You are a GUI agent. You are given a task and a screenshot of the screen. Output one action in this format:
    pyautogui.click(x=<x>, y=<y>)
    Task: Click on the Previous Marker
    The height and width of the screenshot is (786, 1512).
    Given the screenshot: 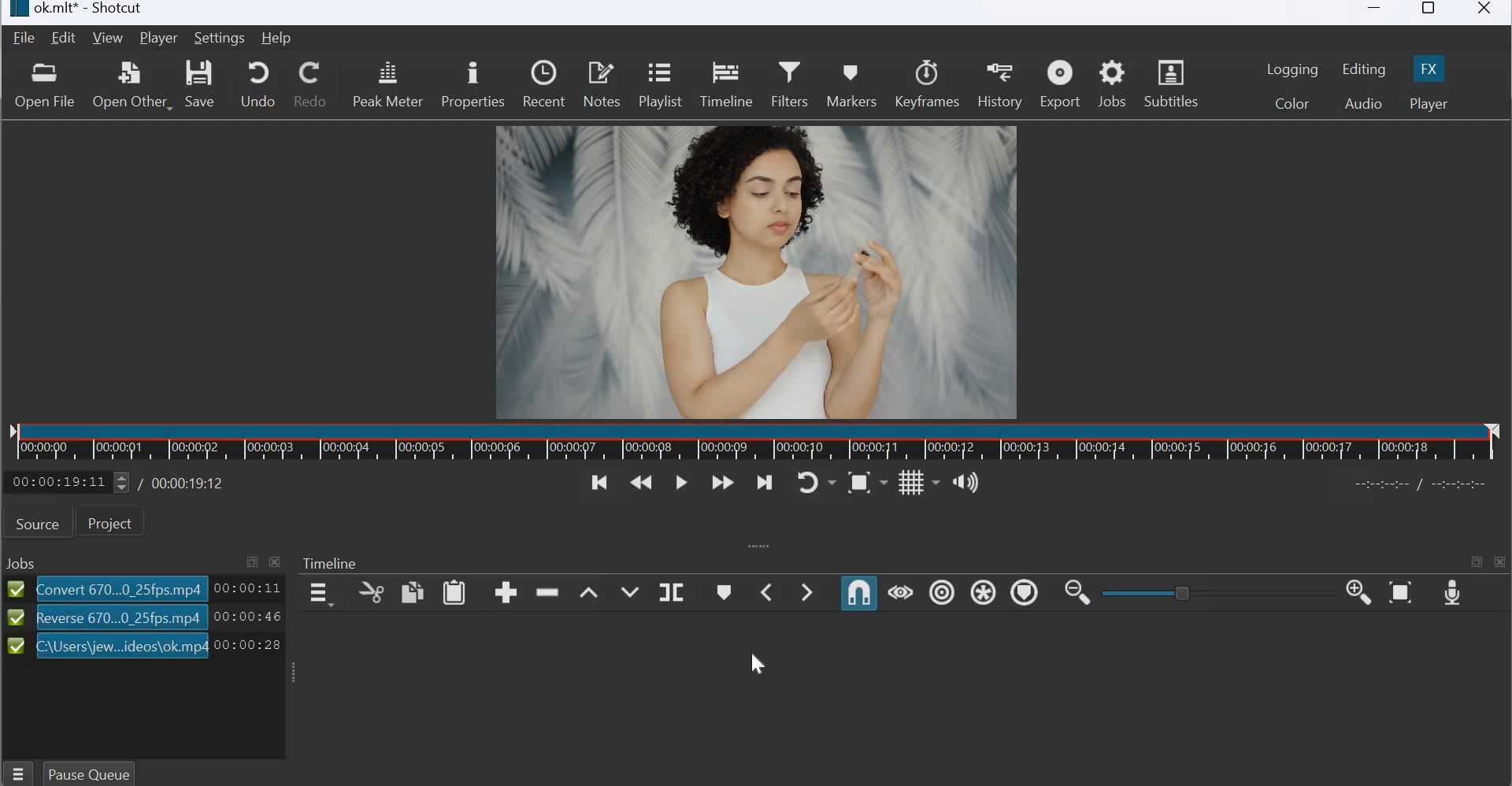 What is the action you would take?
    pyautogui.click(x=767, y=591)
    